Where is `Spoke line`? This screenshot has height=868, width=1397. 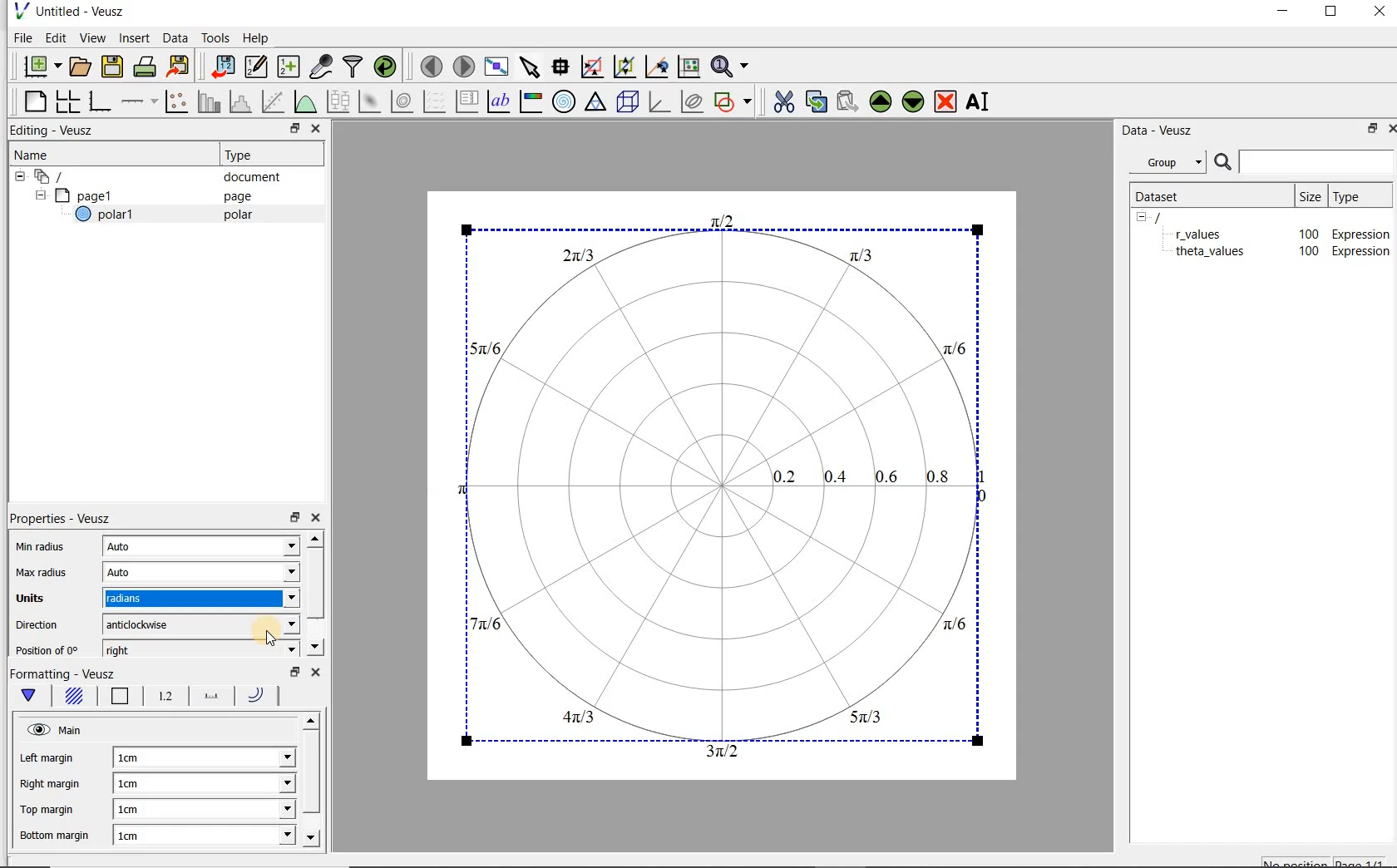 Spoke line is located at coordinates (213, 698).